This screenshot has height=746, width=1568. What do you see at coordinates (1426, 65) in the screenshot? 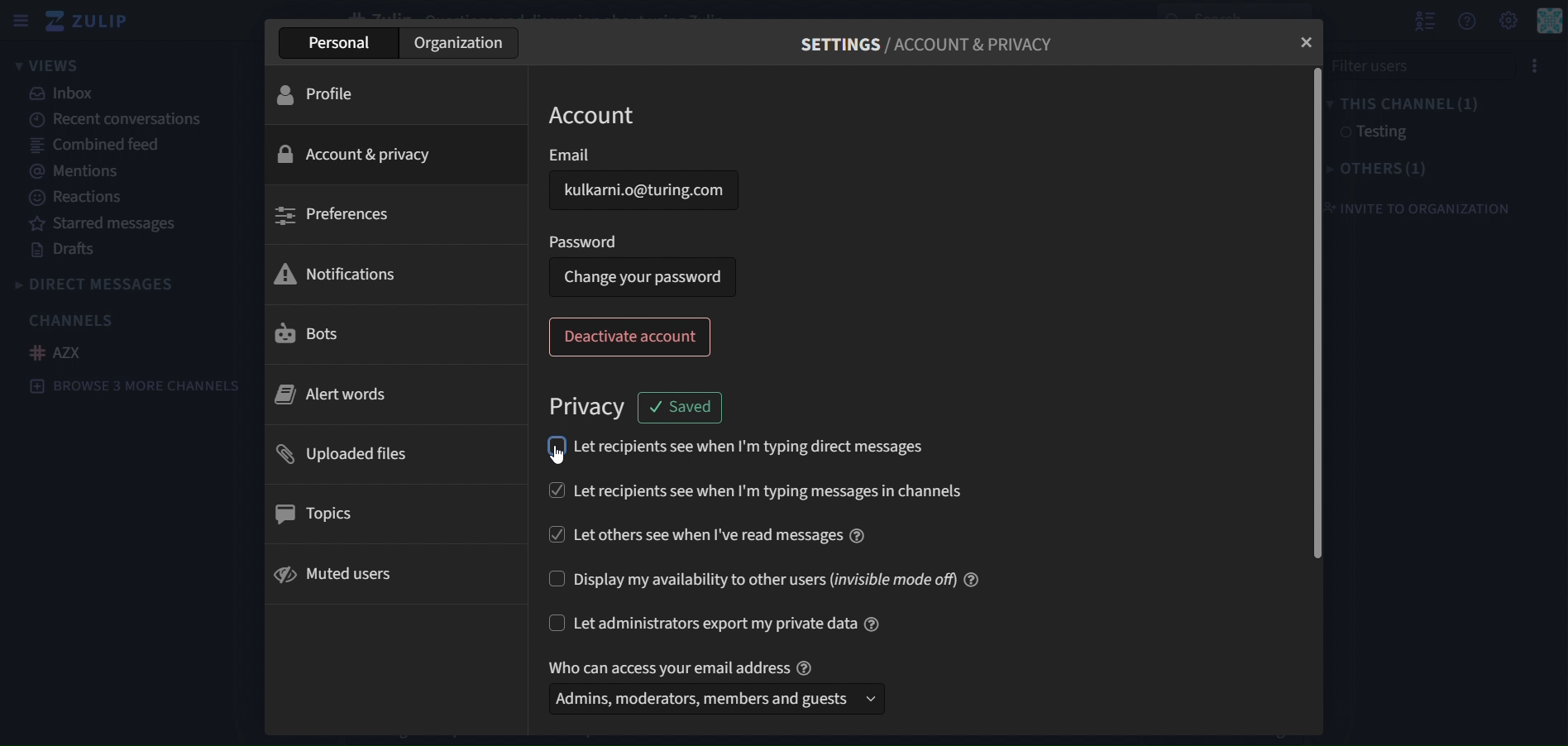
I see `filter users` at bounding box center [1426, 65].